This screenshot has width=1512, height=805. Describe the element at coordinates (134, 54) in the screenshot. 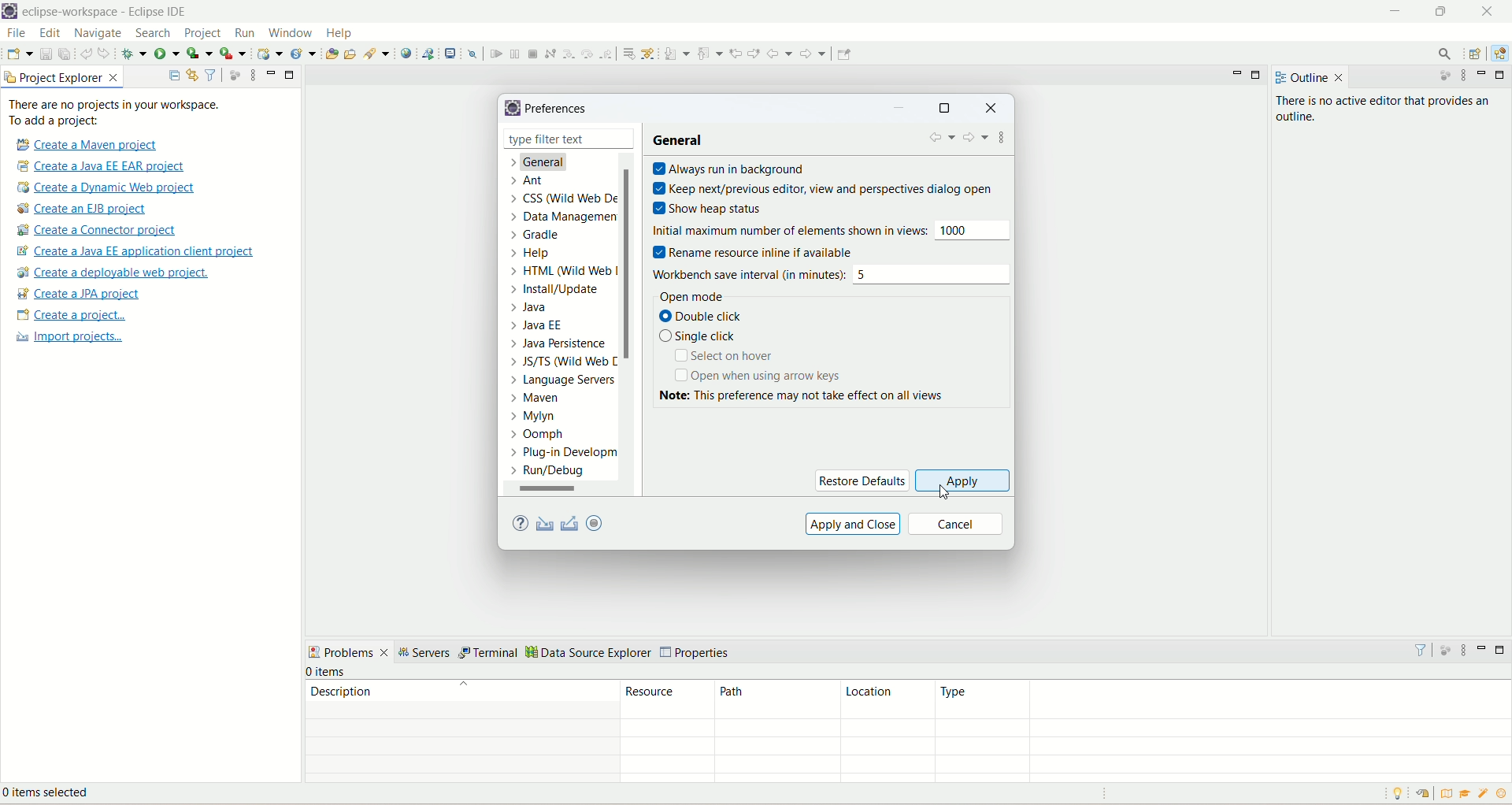

I see `debug` at that location.